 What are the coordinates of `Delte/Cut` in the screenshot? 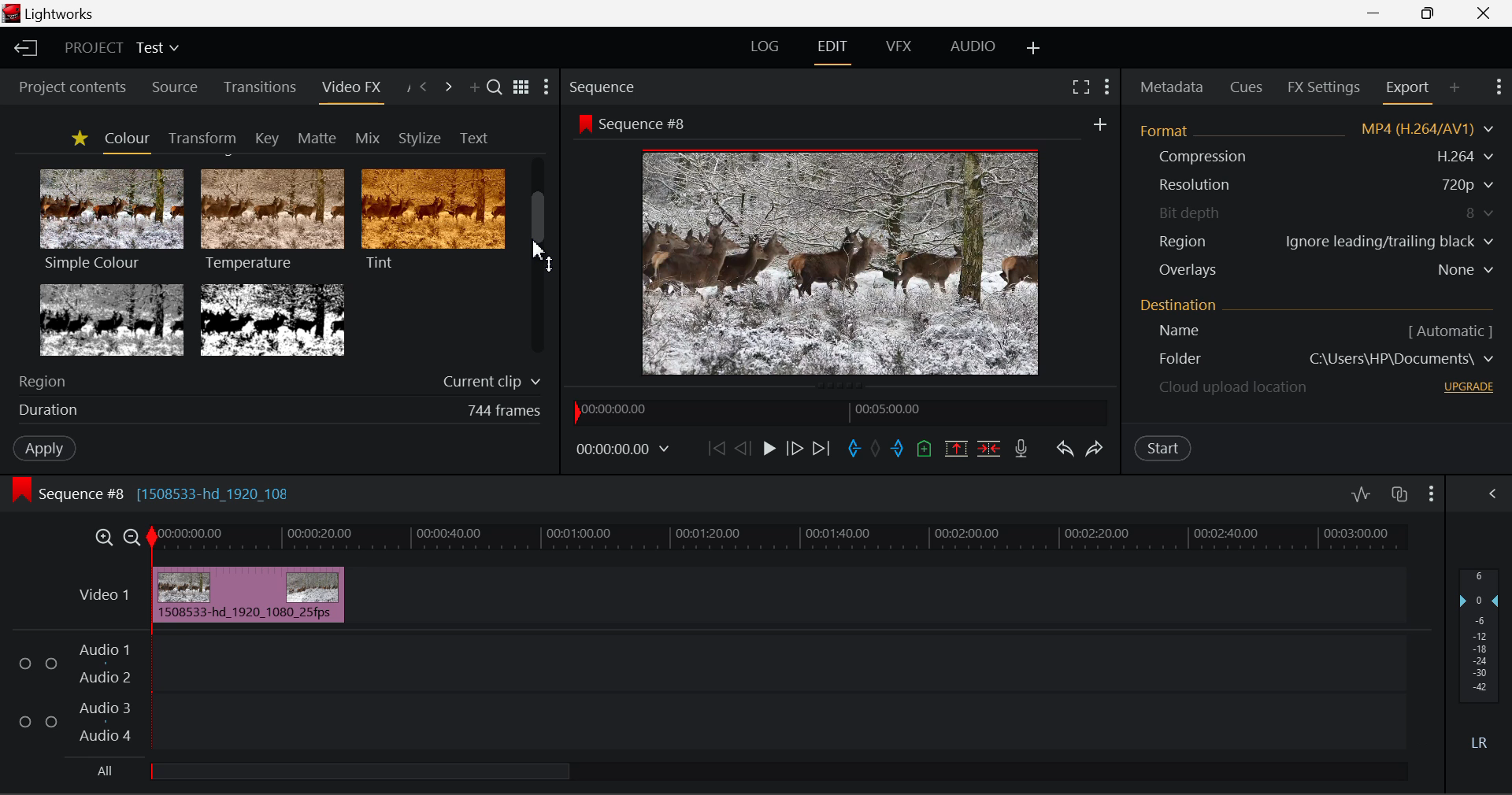 It's located at (991, 449).